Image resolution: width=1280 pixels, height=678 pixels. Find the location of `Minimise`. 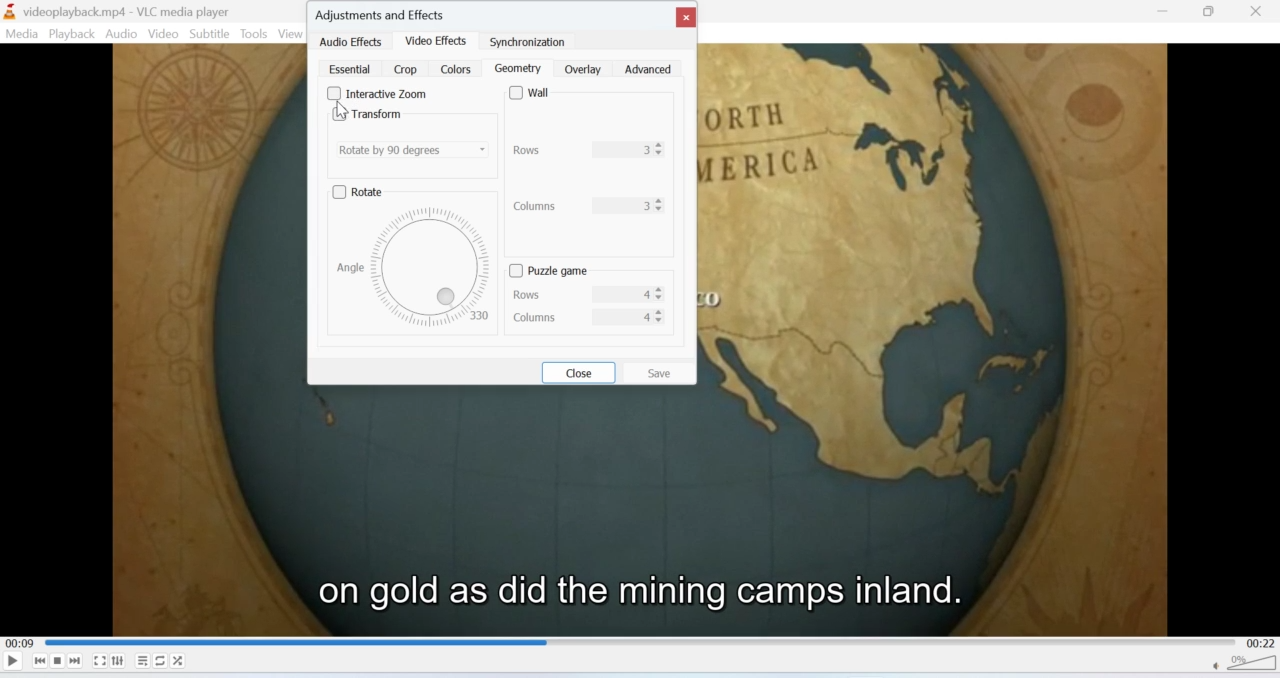

Minimise is located at coordinates (1208, 11).